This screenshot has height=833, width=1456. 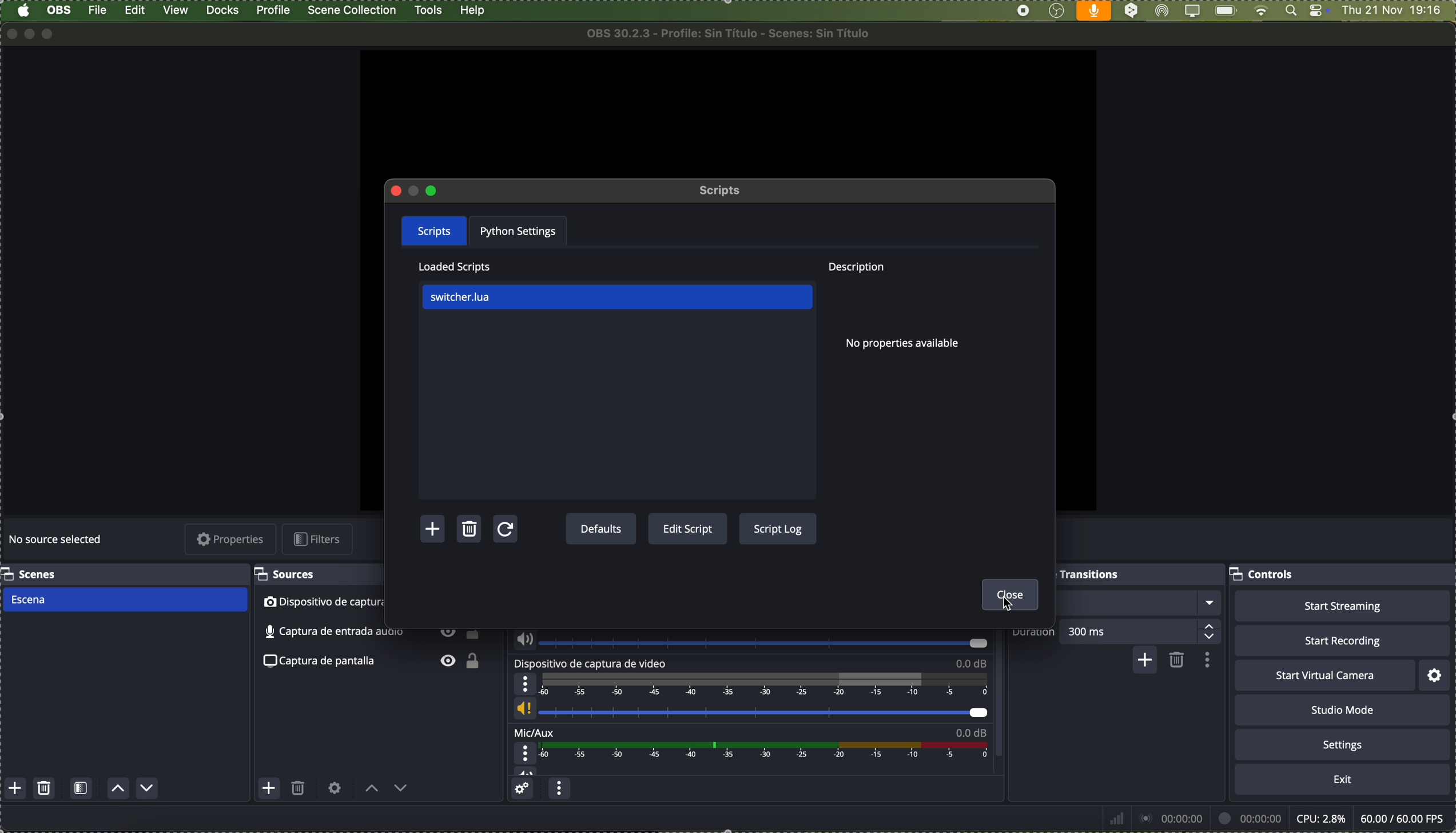 I want to click on start streaming, so click(x=1342, y=606).